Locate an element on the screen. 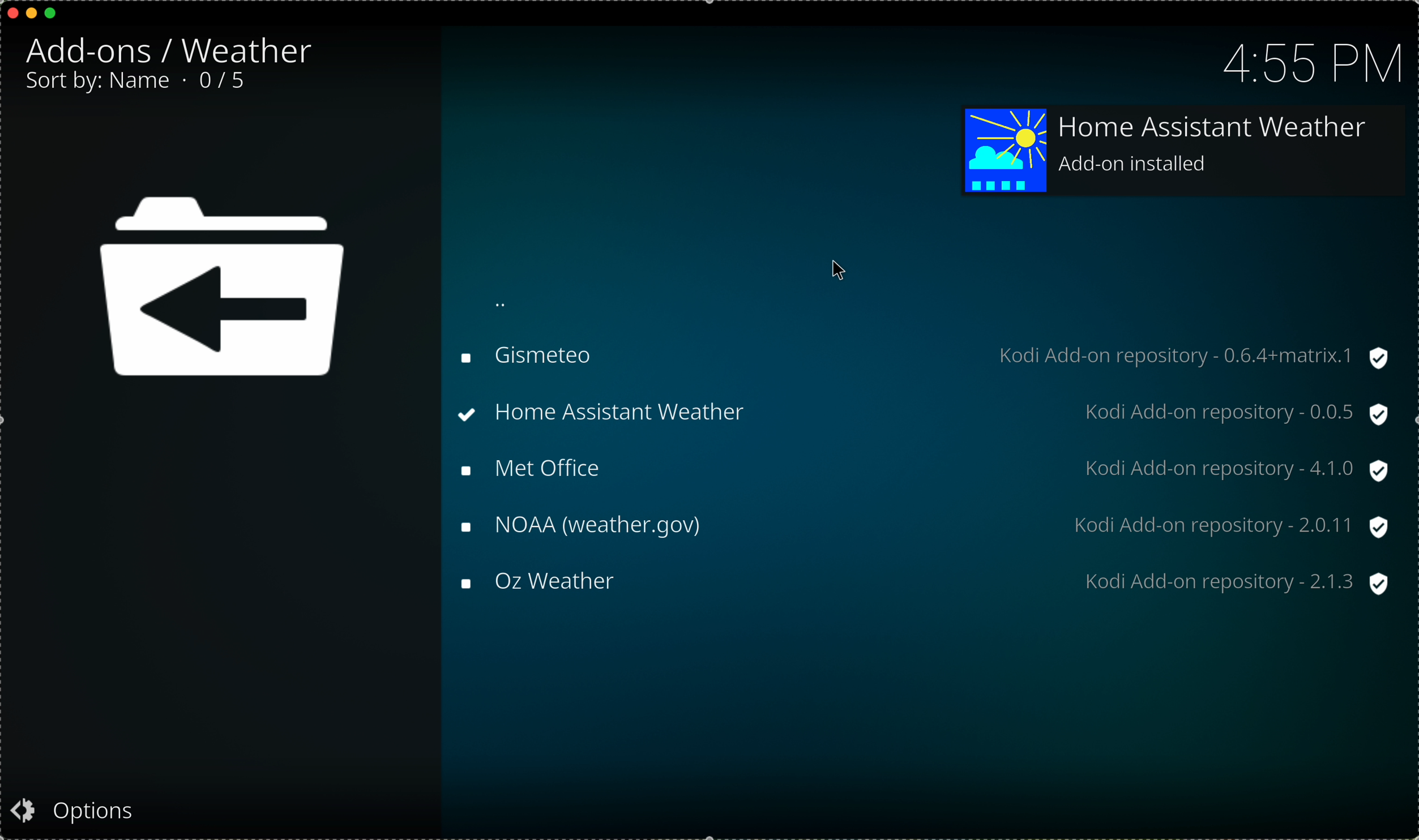 The image size is (1419, 840). 2/5 is located at coordinates (225, 84).